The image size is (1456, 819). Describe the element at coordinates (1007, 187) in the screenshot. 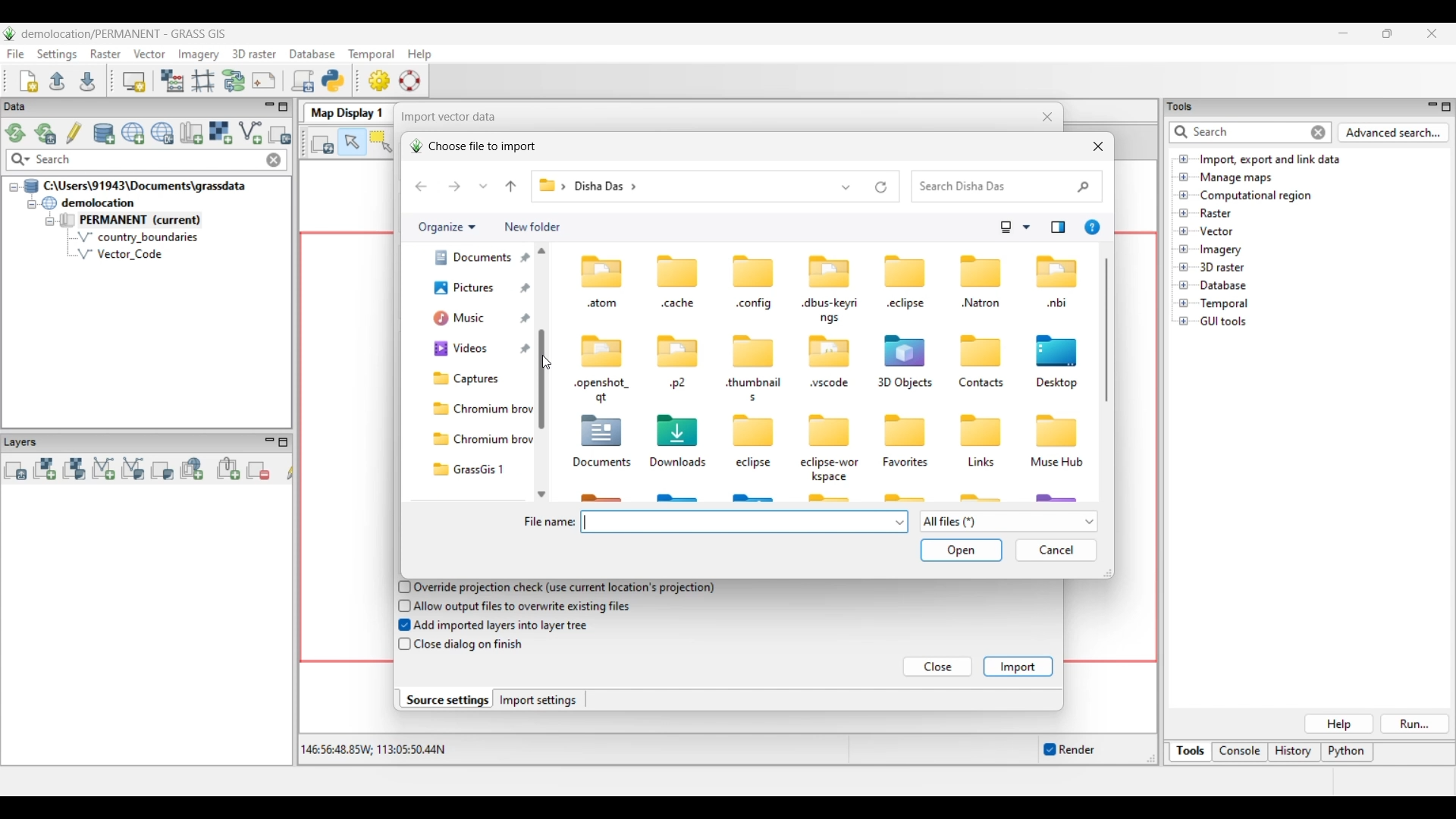

I see `Quick search folder` at that location.